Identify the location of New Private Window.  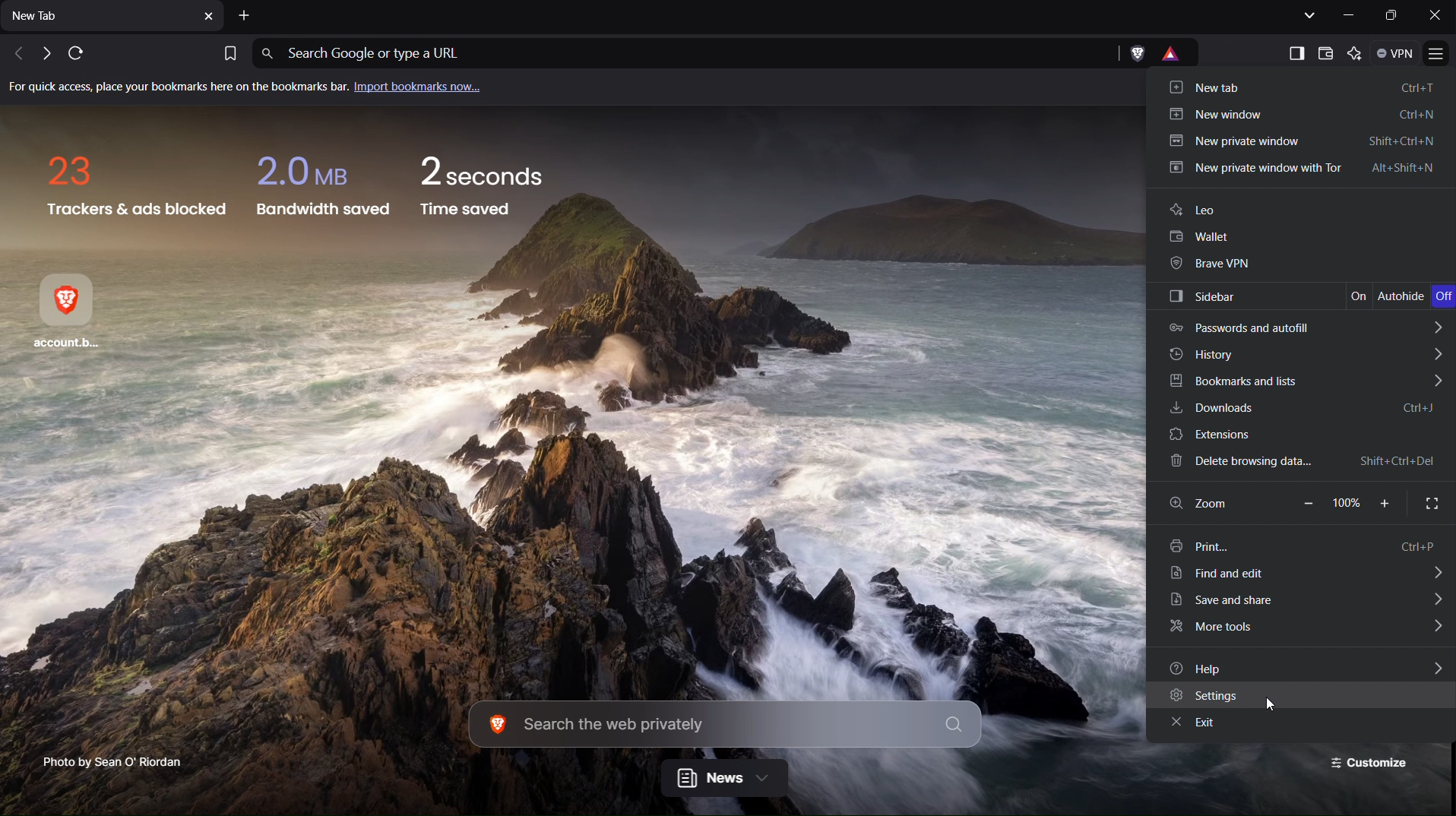
(1301, 141).